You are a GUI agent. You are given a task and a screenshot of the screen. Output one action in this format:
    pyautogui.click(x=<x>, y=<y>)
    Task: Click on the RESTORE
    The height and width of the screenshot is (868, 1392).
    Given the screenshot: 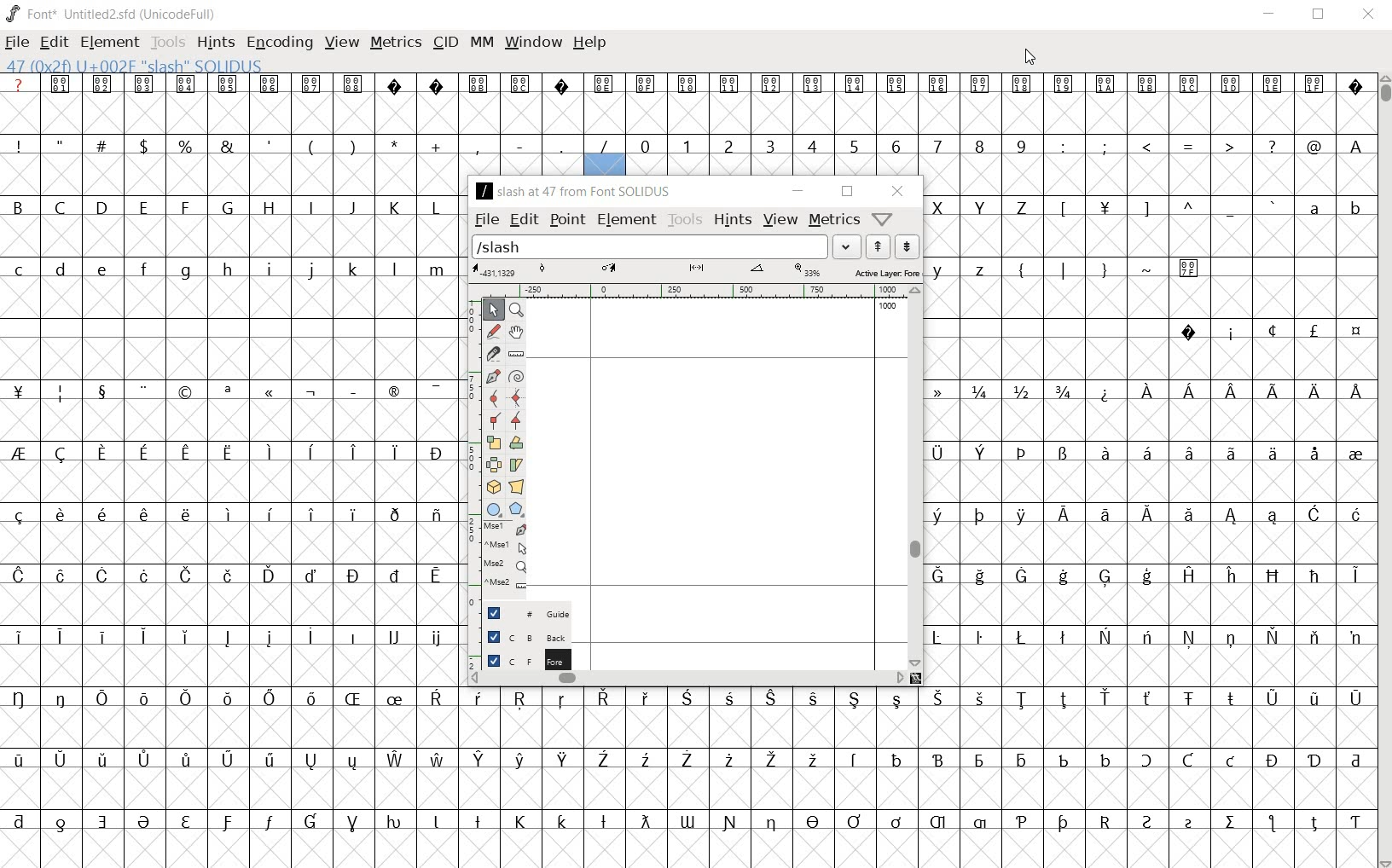 What is the action you would take?
    pyautogui.click(x=1316, y=14)
    